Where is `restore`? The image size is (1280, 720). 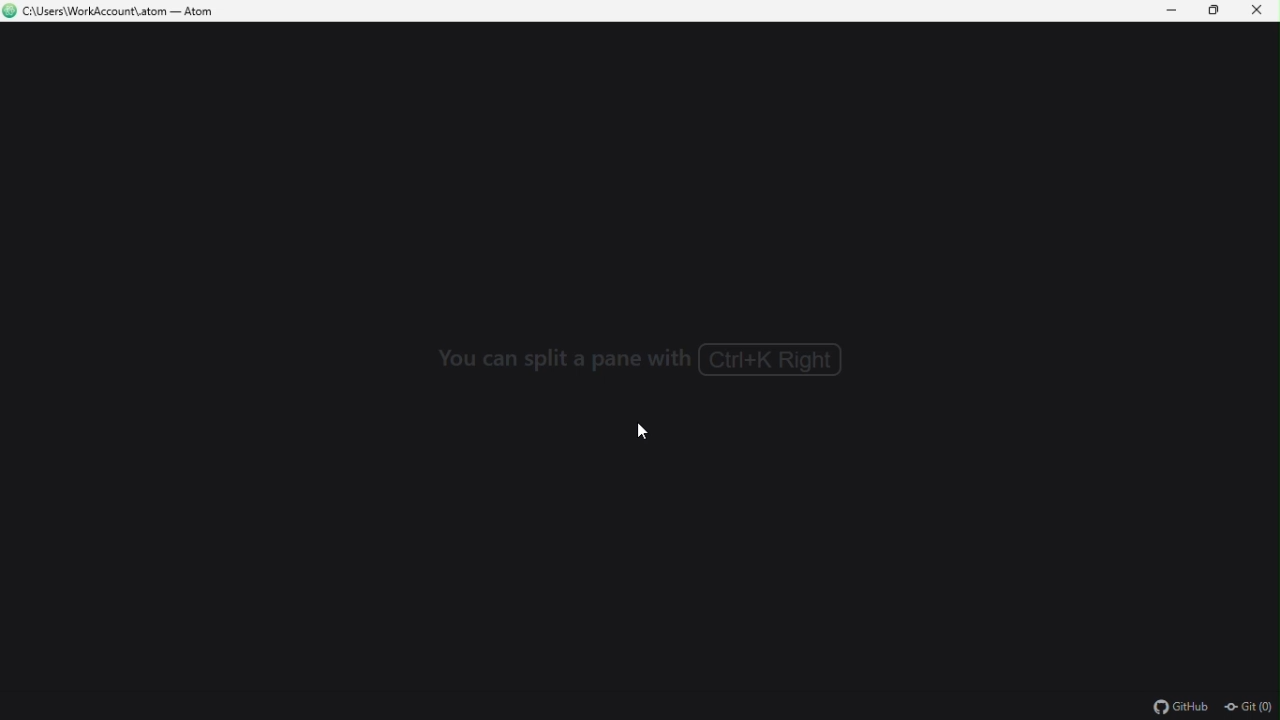
restore is located at coordinates (1212, 10).